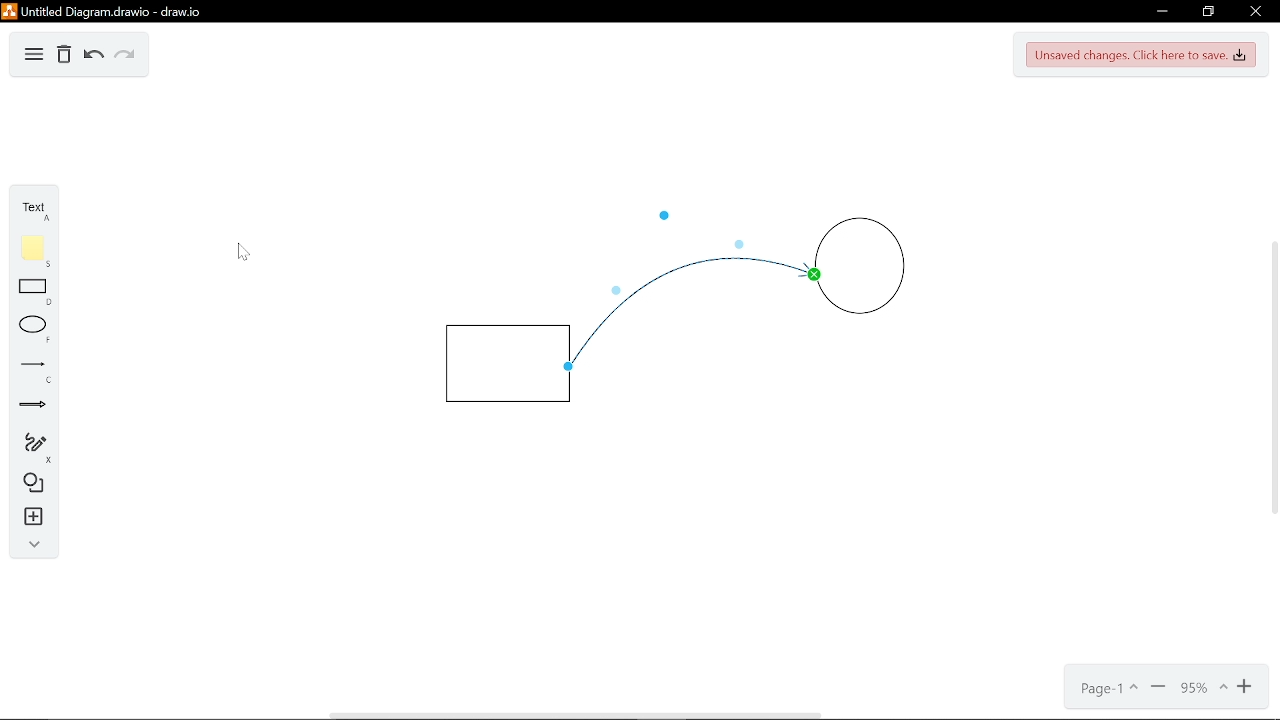 The height and width of the screenshot is (720, 1280). What do you see at coordinates (1246, 688) in the screenshot?
I see `Zoom in` at bounding box center [1246, 688].